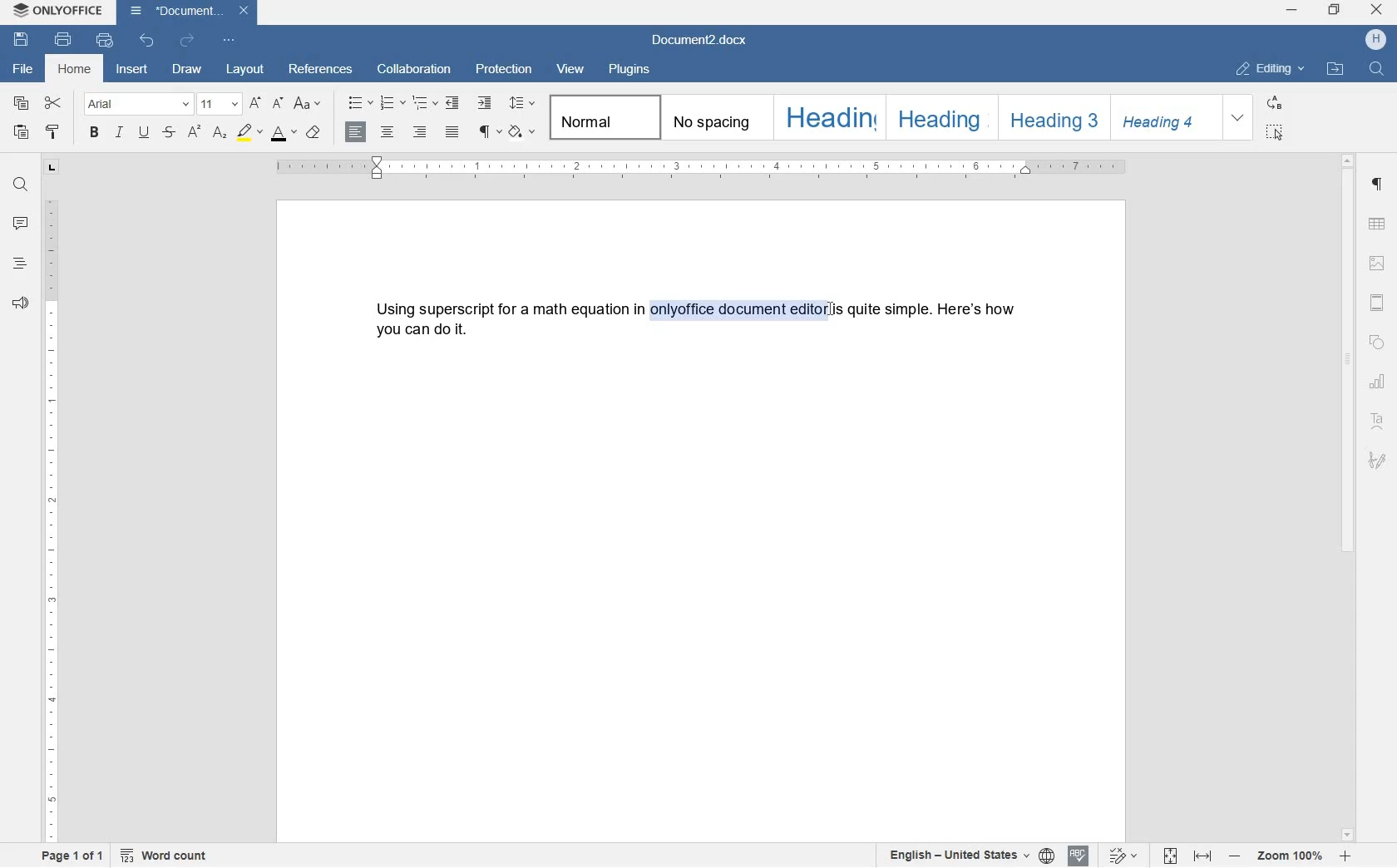 The image size is (1397, 868). What do you see at coordinates (1378, 185) in the screenshot?
I see `paragraph settings` at bounding box center [1378, 185].